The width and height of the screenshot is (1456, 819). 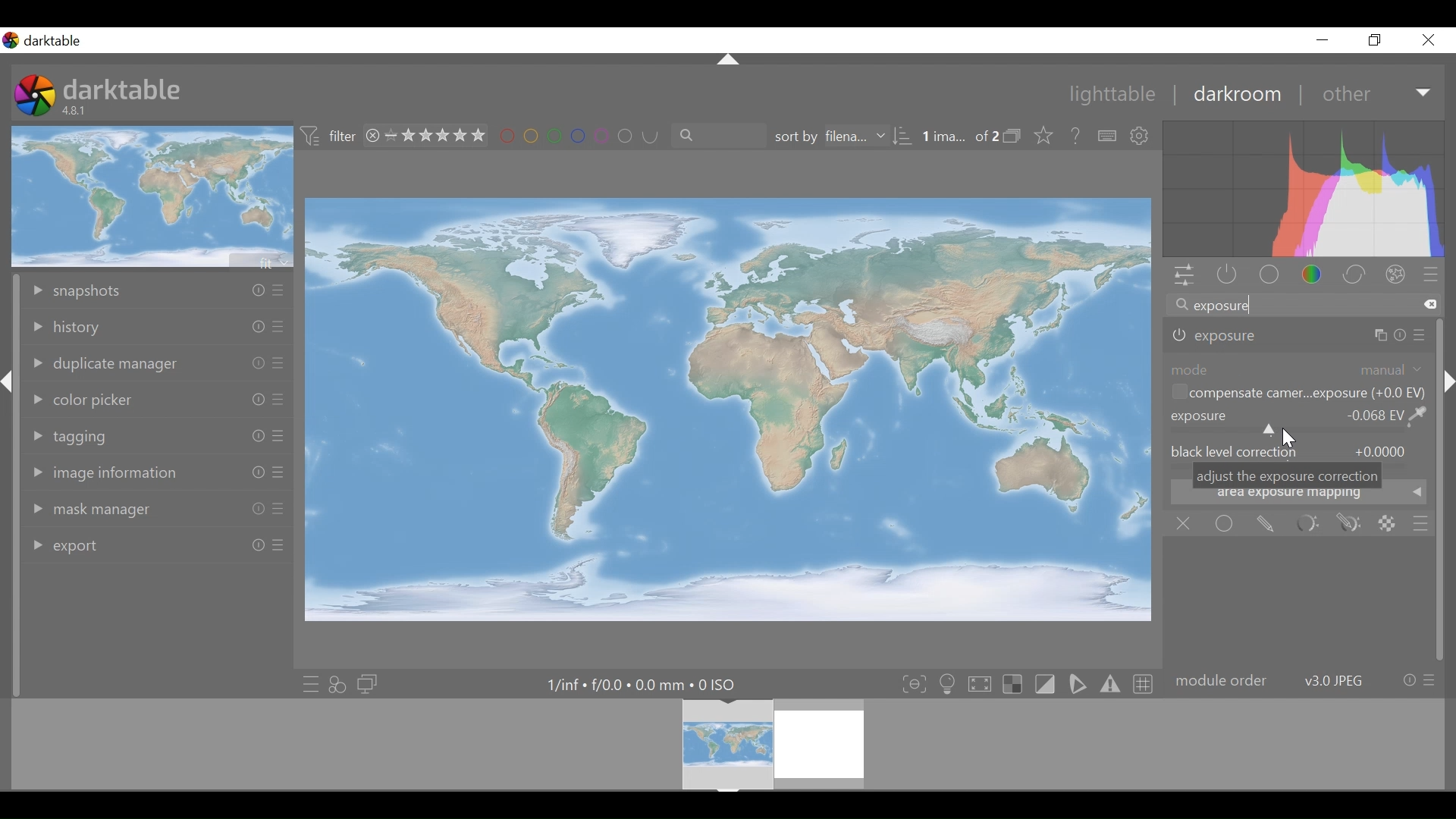 What do you see at coordinates (1296, 497) in the screenshot?
I see `error exposure mapping` at bounding box center [1296, 497].